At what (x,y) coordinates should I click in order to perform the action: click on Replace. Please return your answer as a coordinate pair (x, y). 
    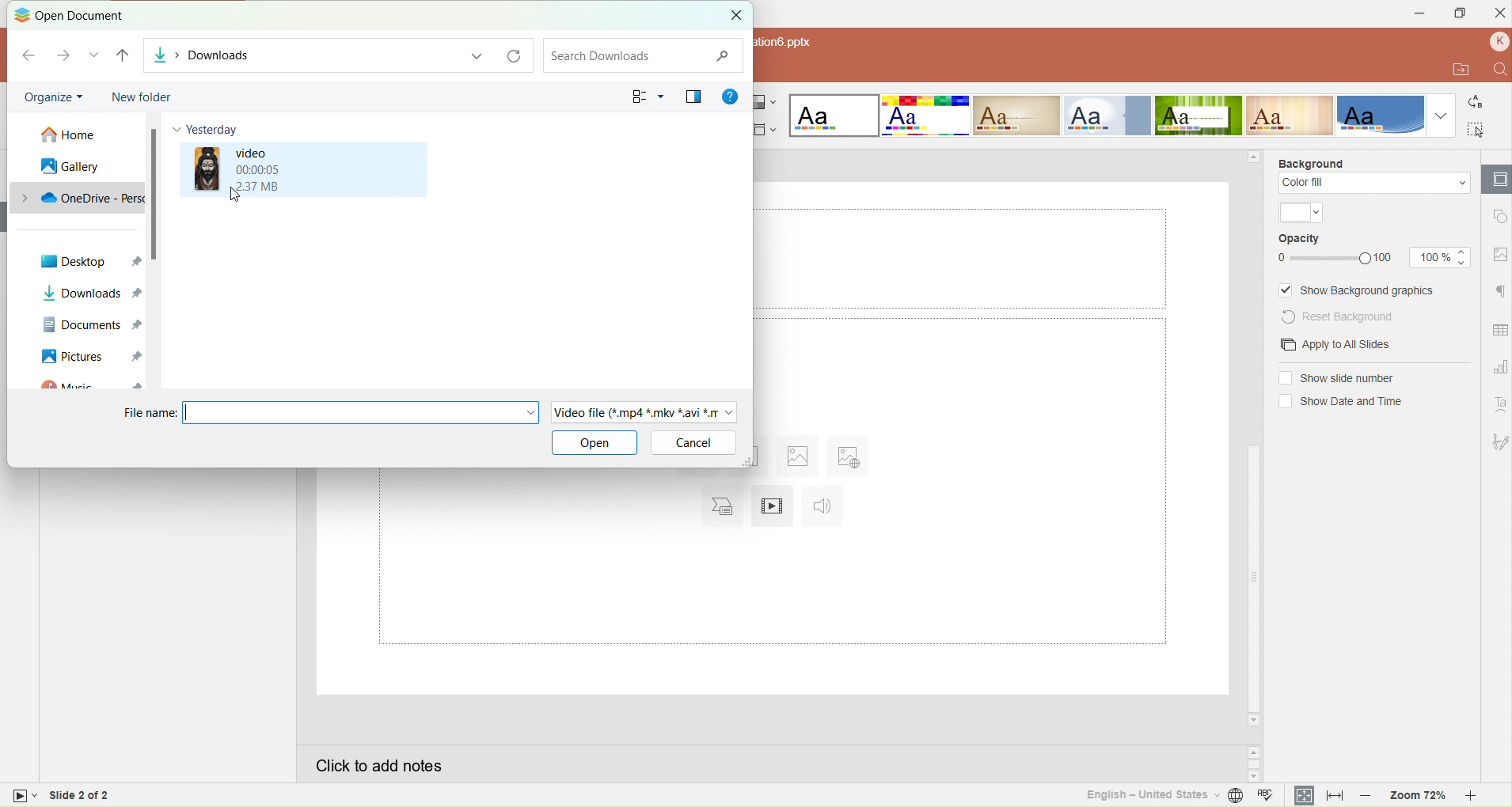
    Looking at the image, I should click on (1476, 100).